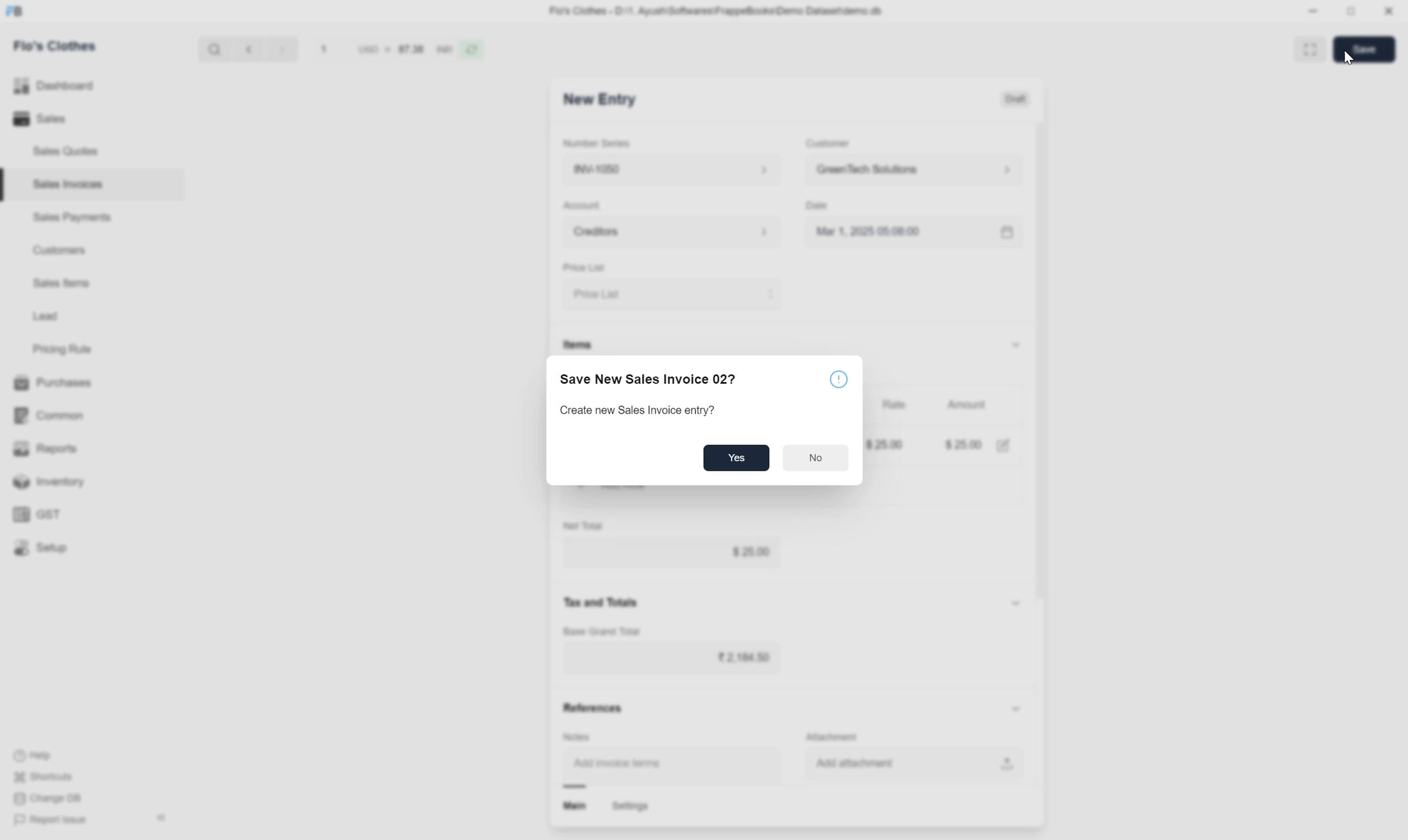  What do you see at coordinates (610, 602) in the screenshot?
I see `tax and totals` at bounding box center [610, 602].